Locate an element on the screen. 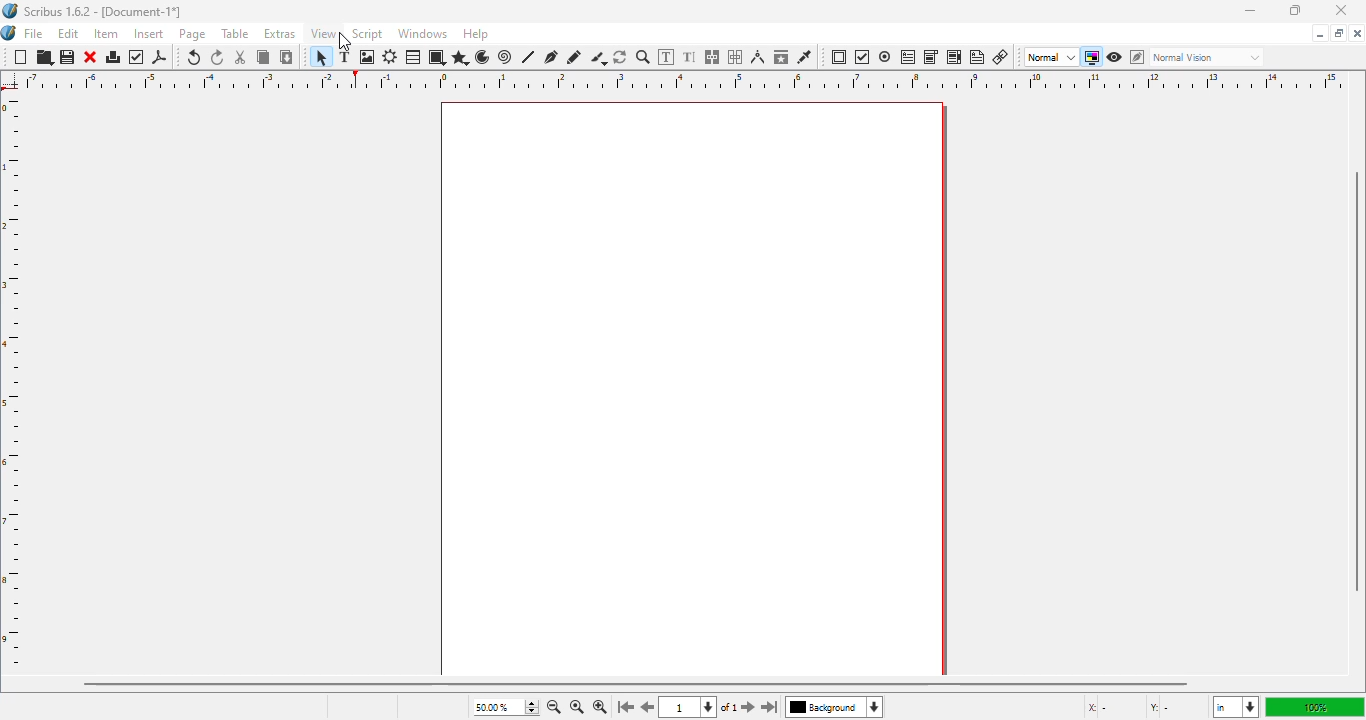 Image resolution: width=1366 pixels, height=720 pixels. zoom in or out is located at coordinates (643, 57).